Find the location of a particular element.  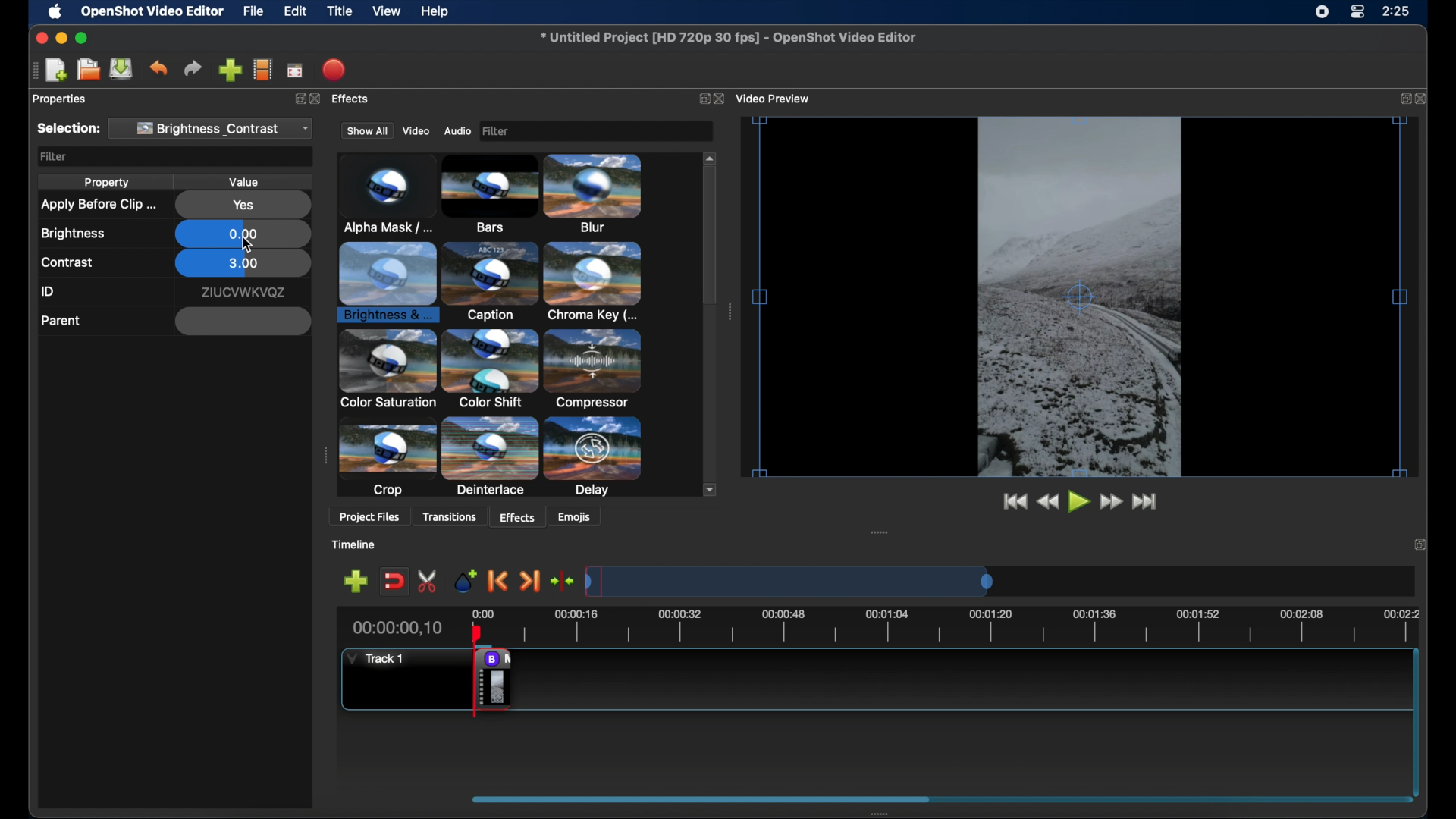

add track is located at coordinates (355, 581).